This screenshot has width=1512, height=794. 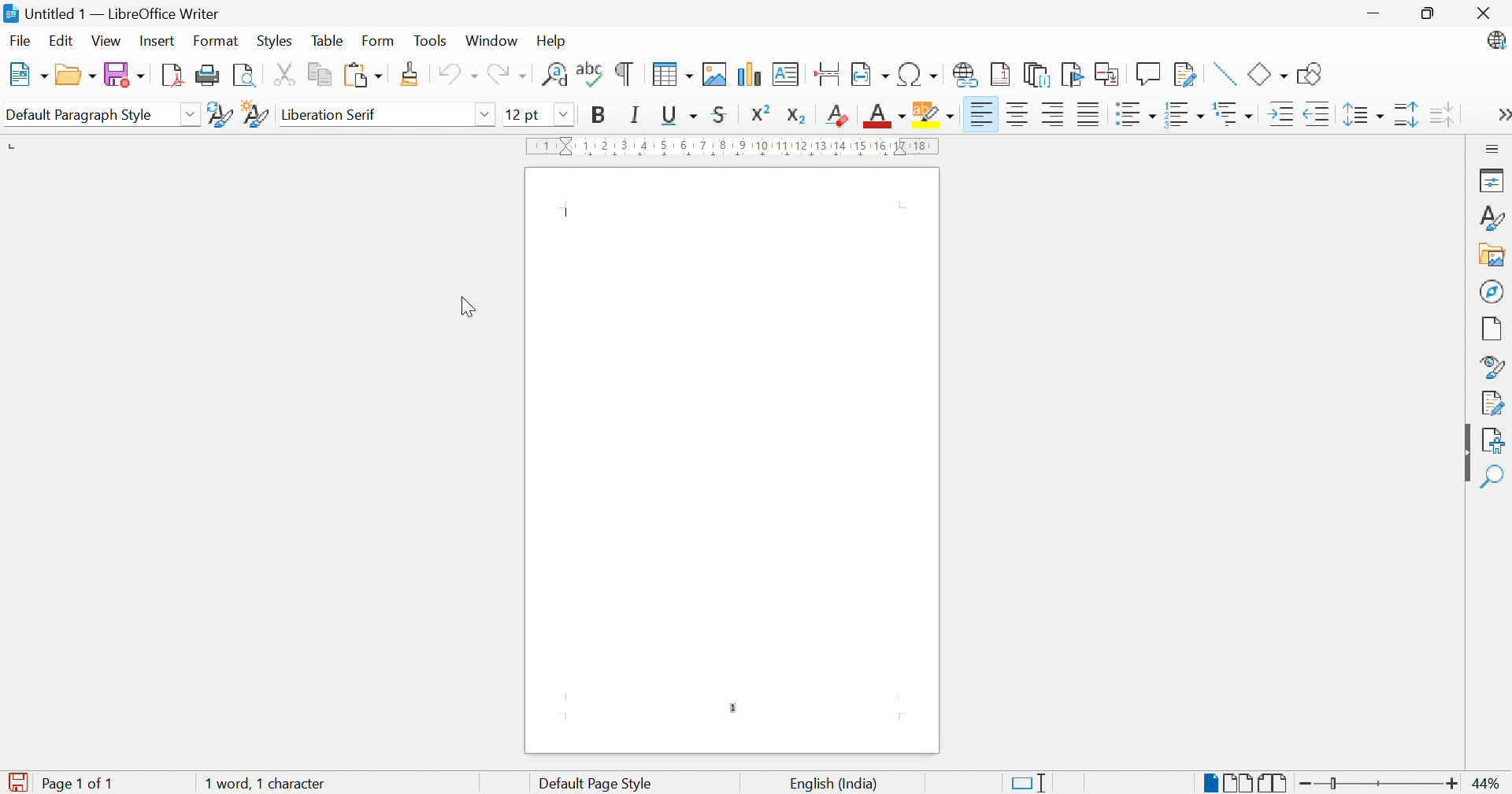 What do you see at coordinates (248, 75) in the screenshot?
I see `Toggle print preview` at bounding box center [248, 75].